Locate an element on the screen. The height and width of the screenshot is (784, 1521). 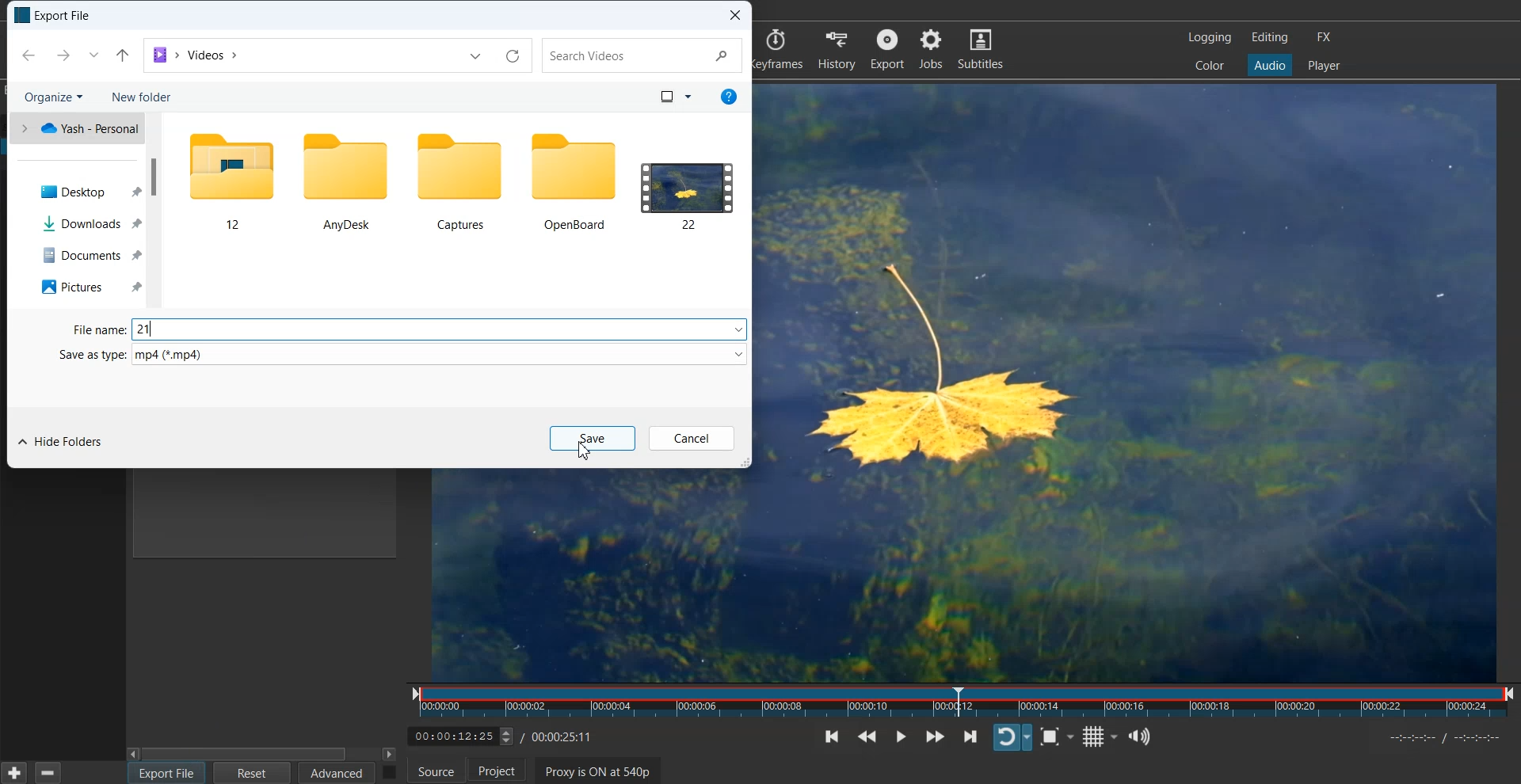
Files is located at coordinates (577, 180).